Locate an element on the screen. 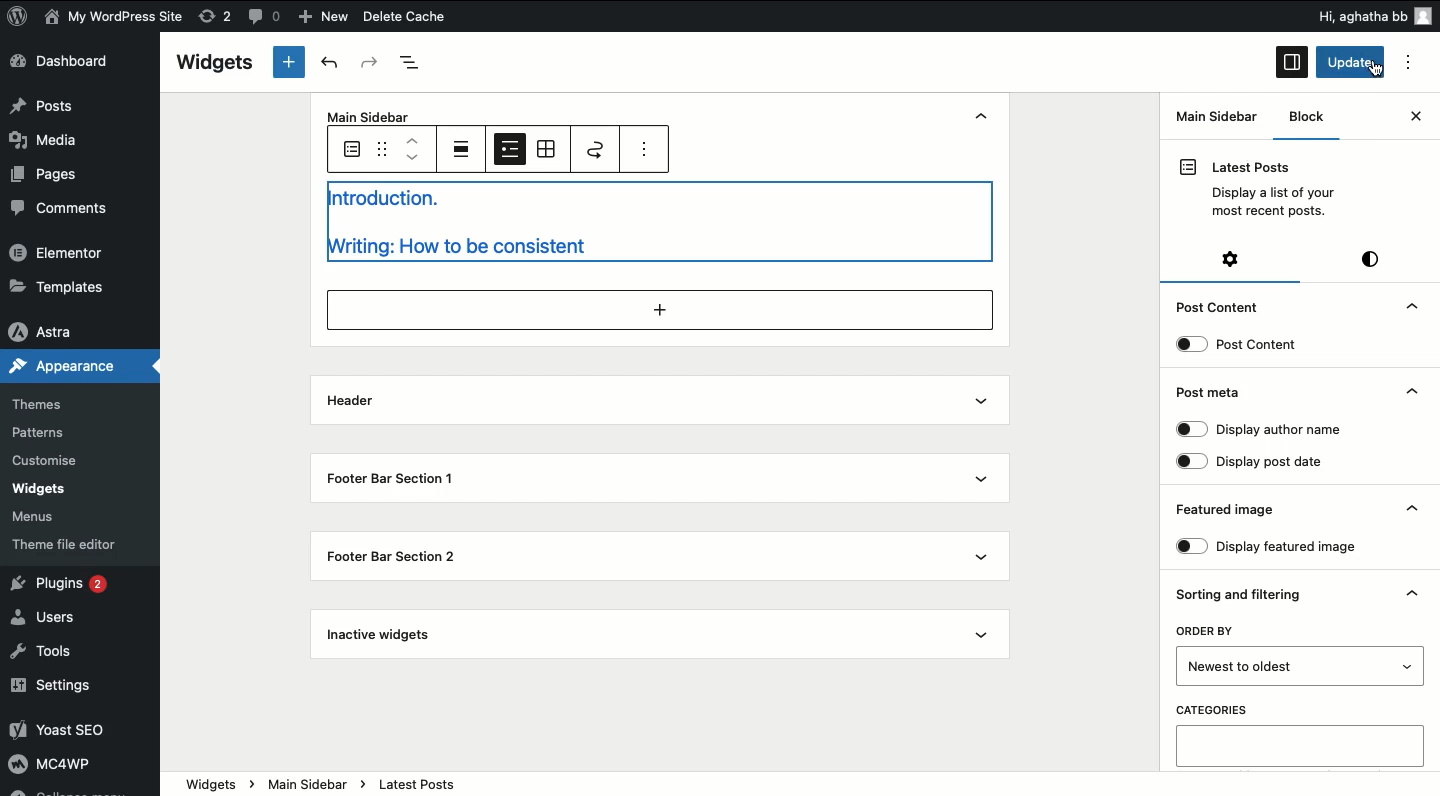 This screenshot has height=796, width=1440.  Media is located at coordinates (55, 139).